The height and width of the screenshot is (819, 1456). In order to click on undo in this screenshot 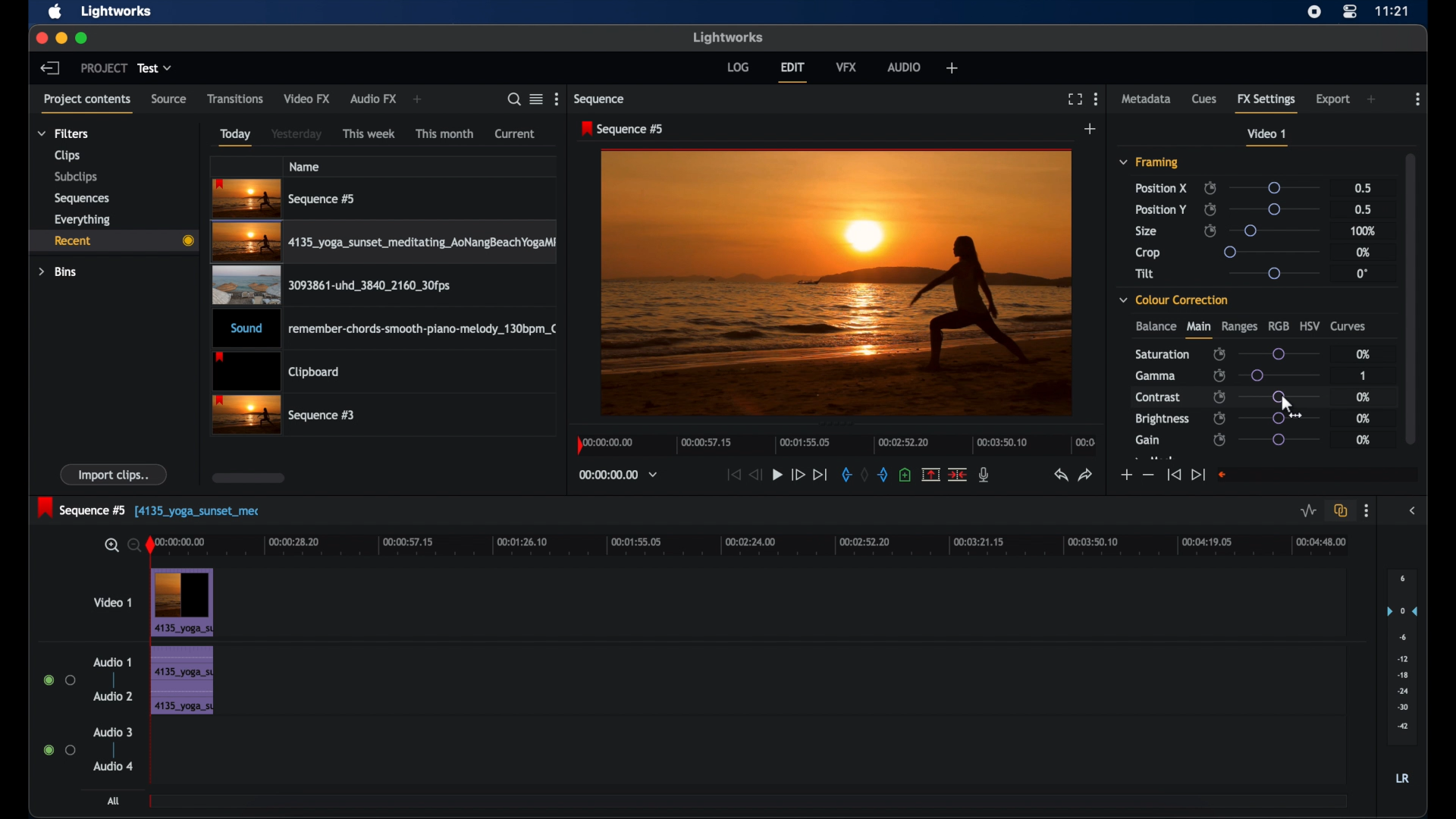, I will do `click(1059, 475)`.